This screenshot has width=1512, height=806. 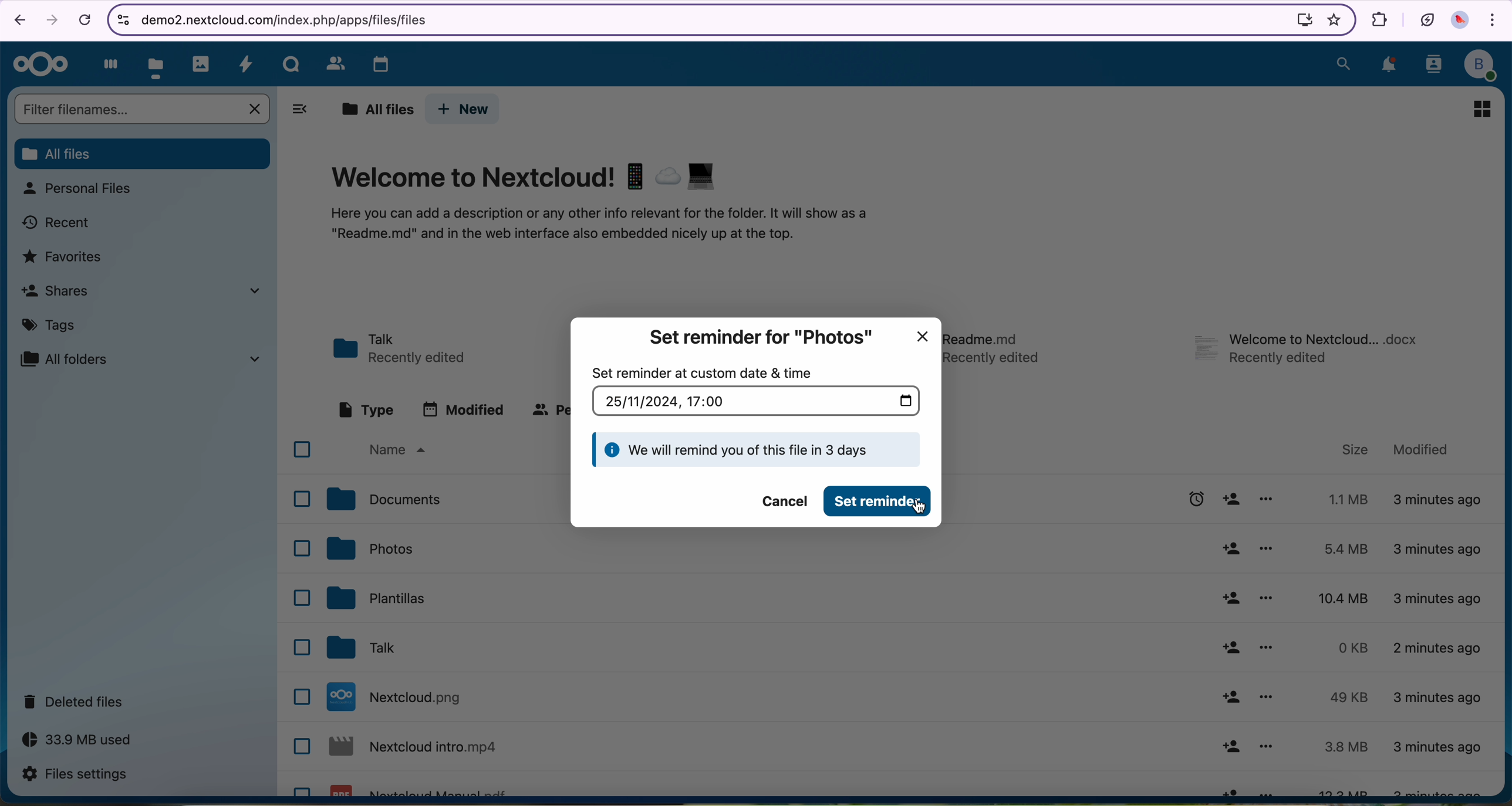 What do you see at coordinates (372, 548) in the screenshot?
I see `photos` at bounding box center [372, 548].